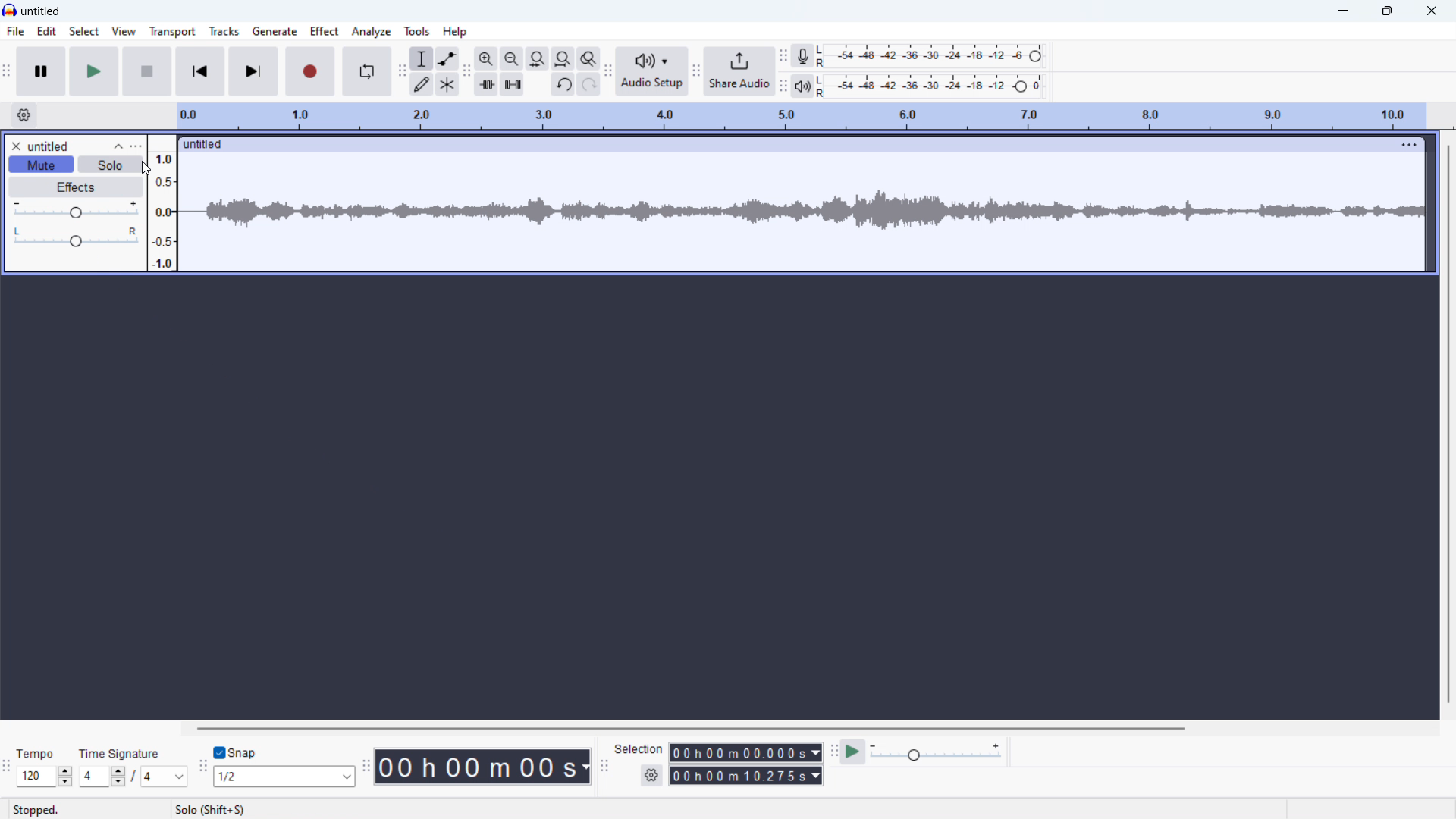 Image resolution: width=1456 pixels, height=819 pixels. What do you see at coordinates (42, 11) in the screenshot?
I see `title` at bounding box center [42, 11].